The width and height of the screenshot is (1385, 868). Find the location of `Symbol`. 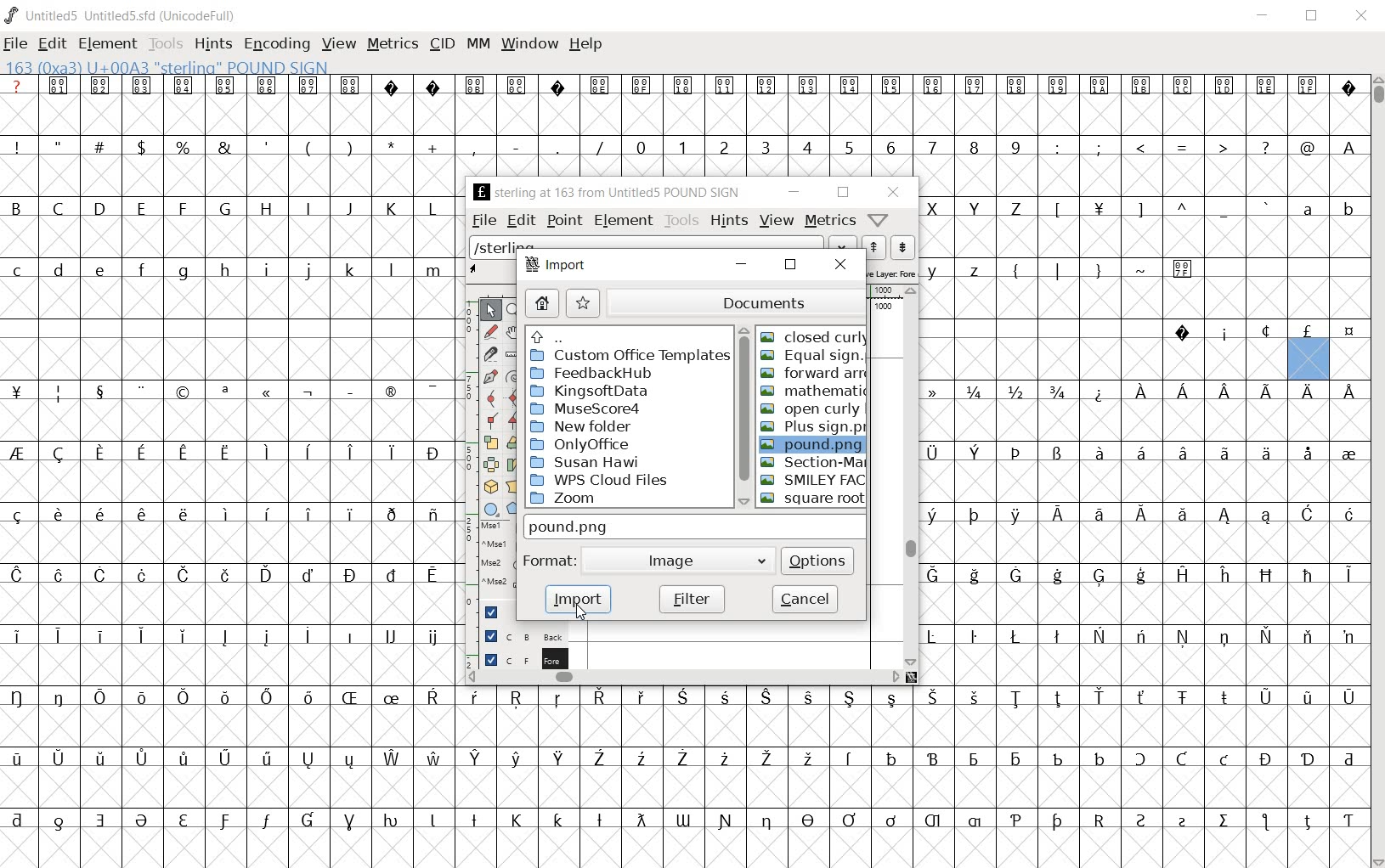

Symbol is located at coordinates (1016, 454).